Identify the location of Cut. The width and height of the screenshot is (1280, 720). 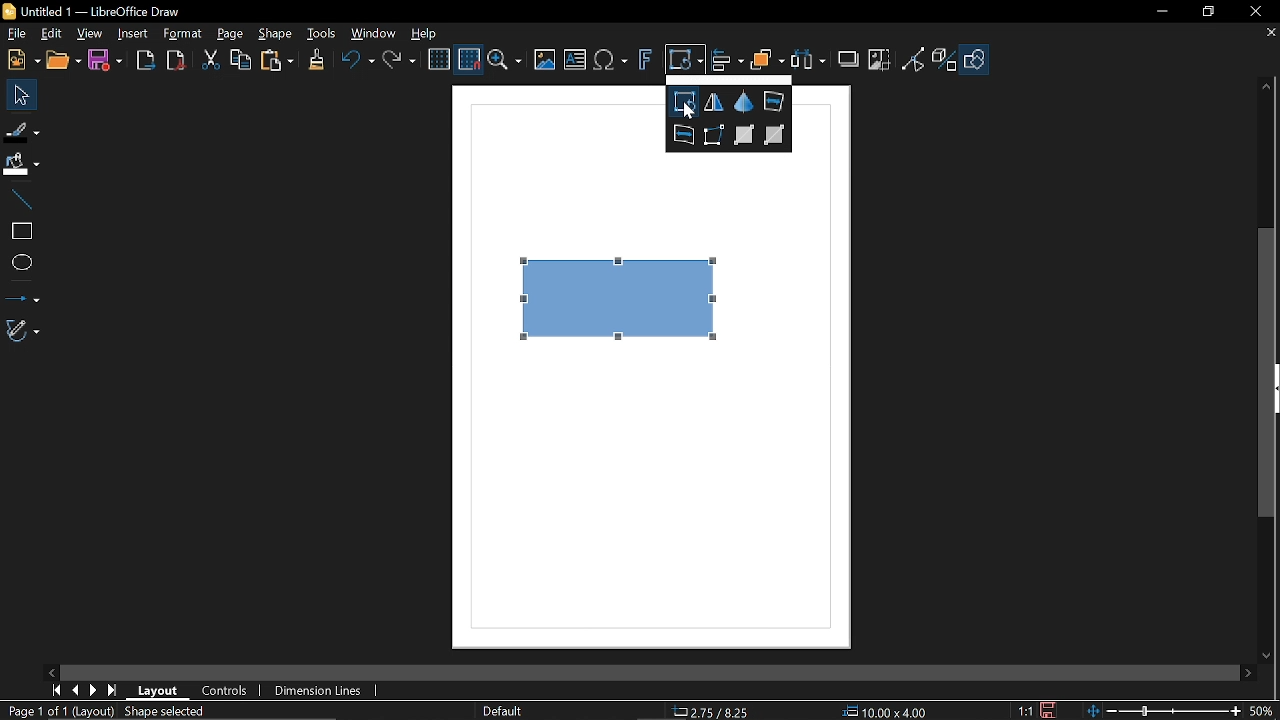
(209, 63).